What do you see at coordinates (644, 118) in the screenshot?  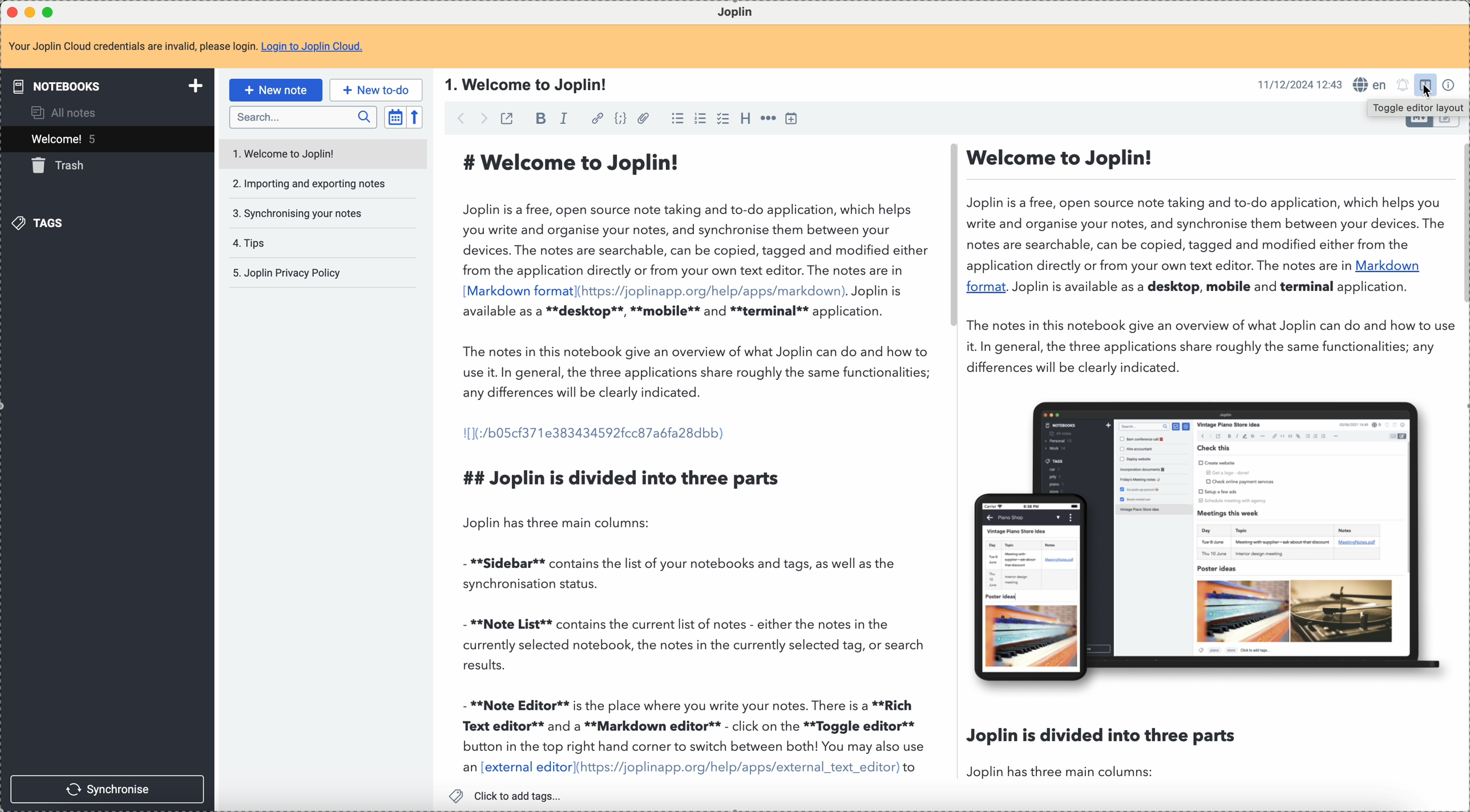 I see `attach file` at bounding box center [644, 118].